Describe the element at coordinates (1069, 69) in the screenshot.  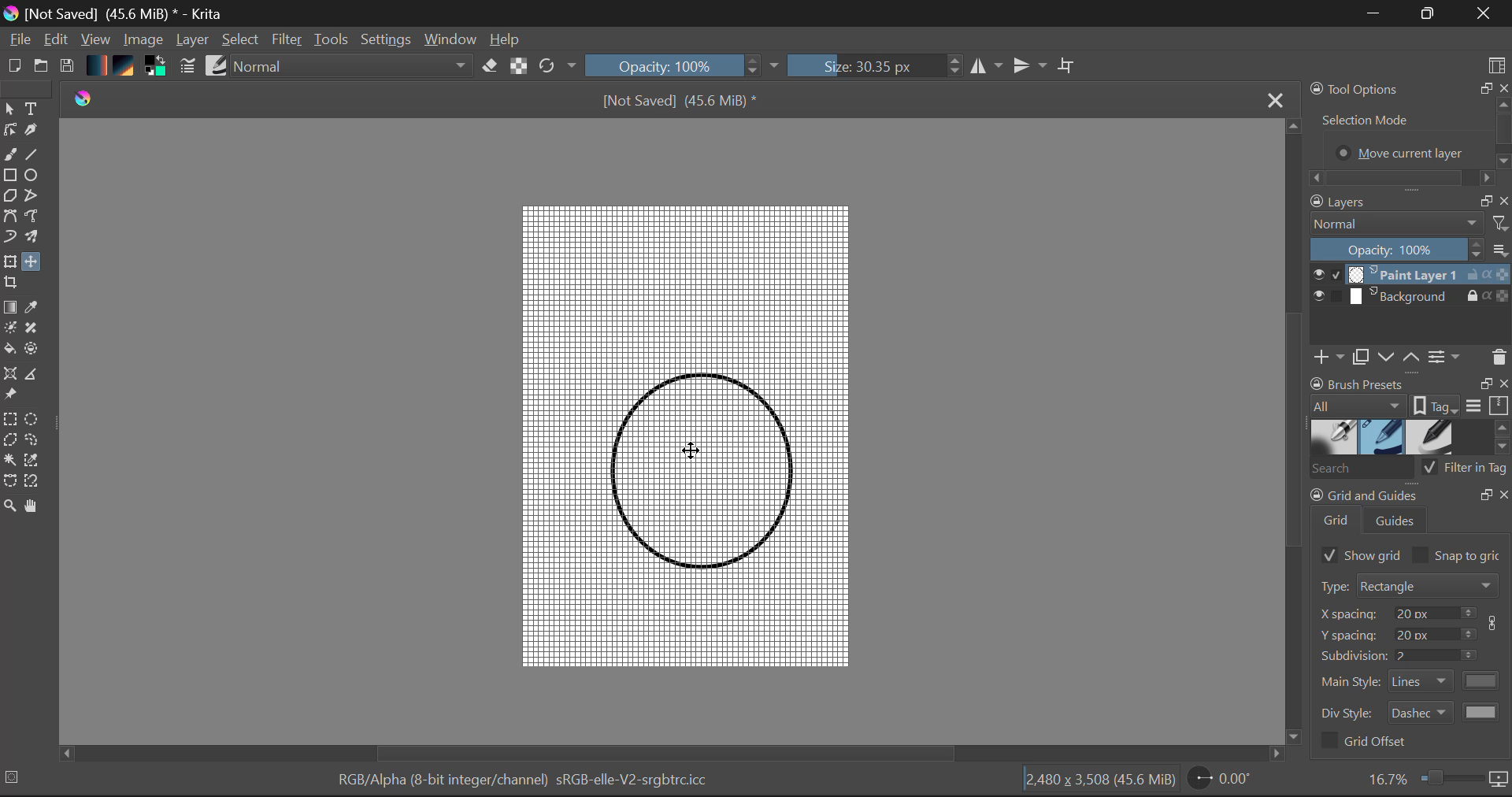
I see `Crop` at that location.